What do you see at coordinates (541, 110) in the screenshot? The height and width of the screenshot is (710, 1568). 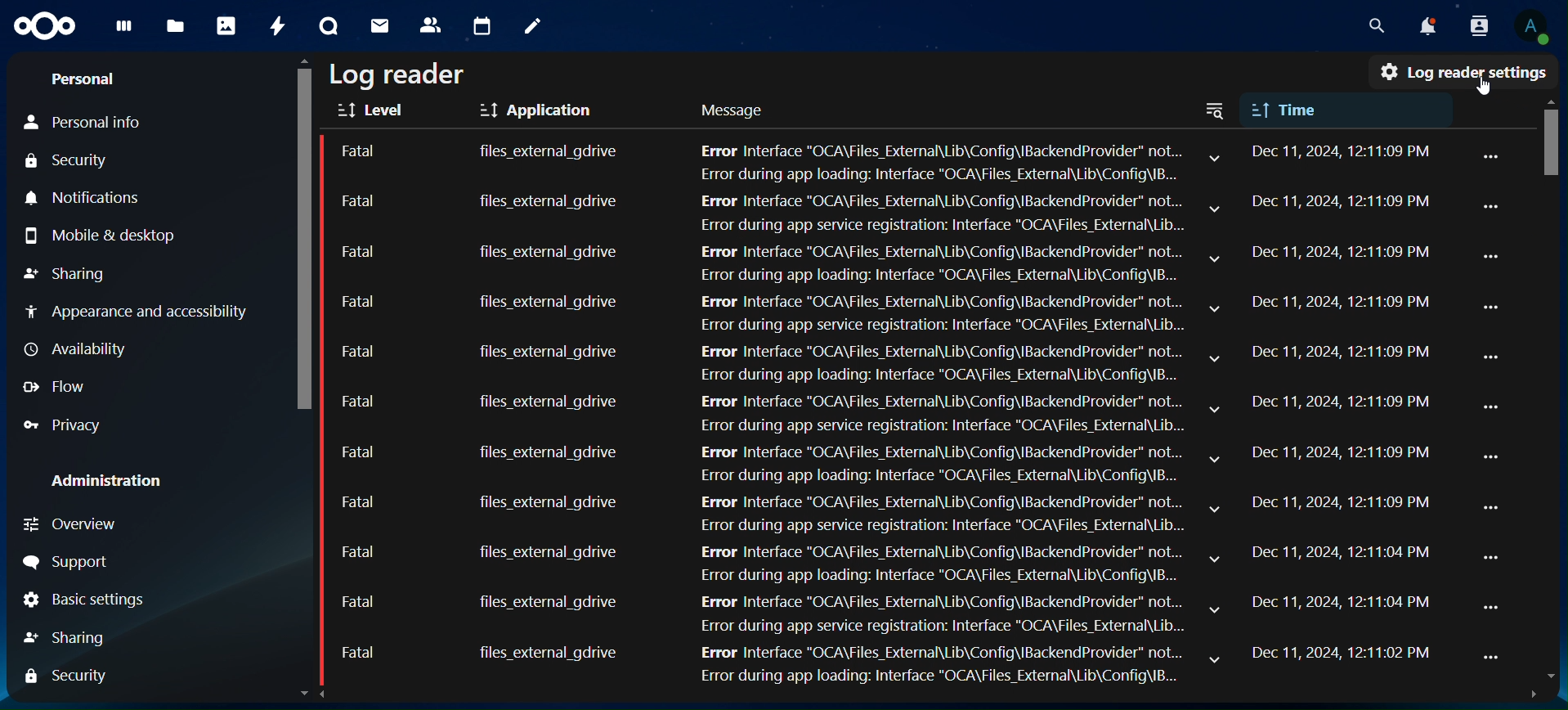 I see `application` at bounding box center [541, 110].